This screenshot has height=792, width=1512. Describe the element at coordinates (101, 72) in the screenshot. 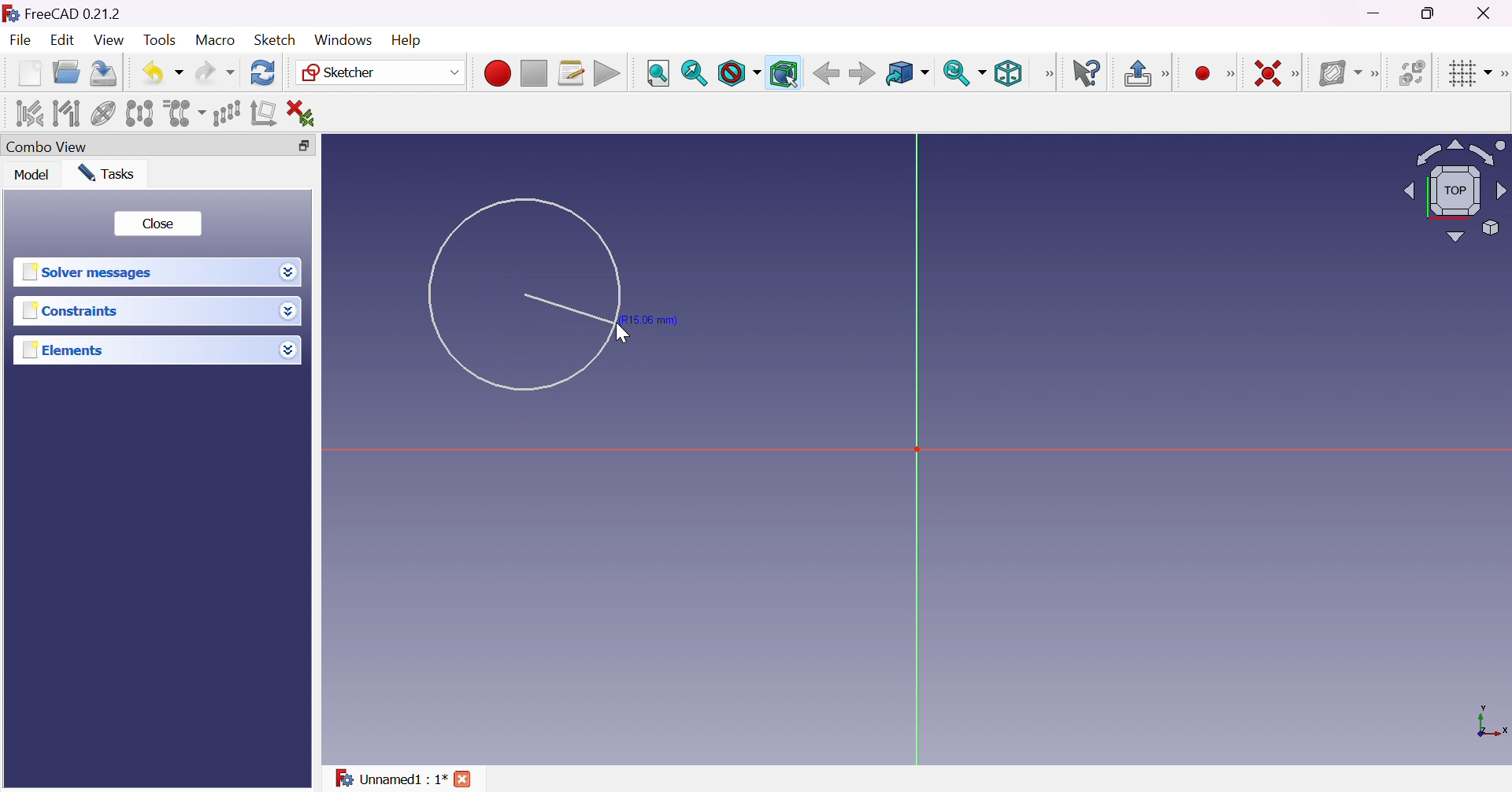

I see `Save` at that location.